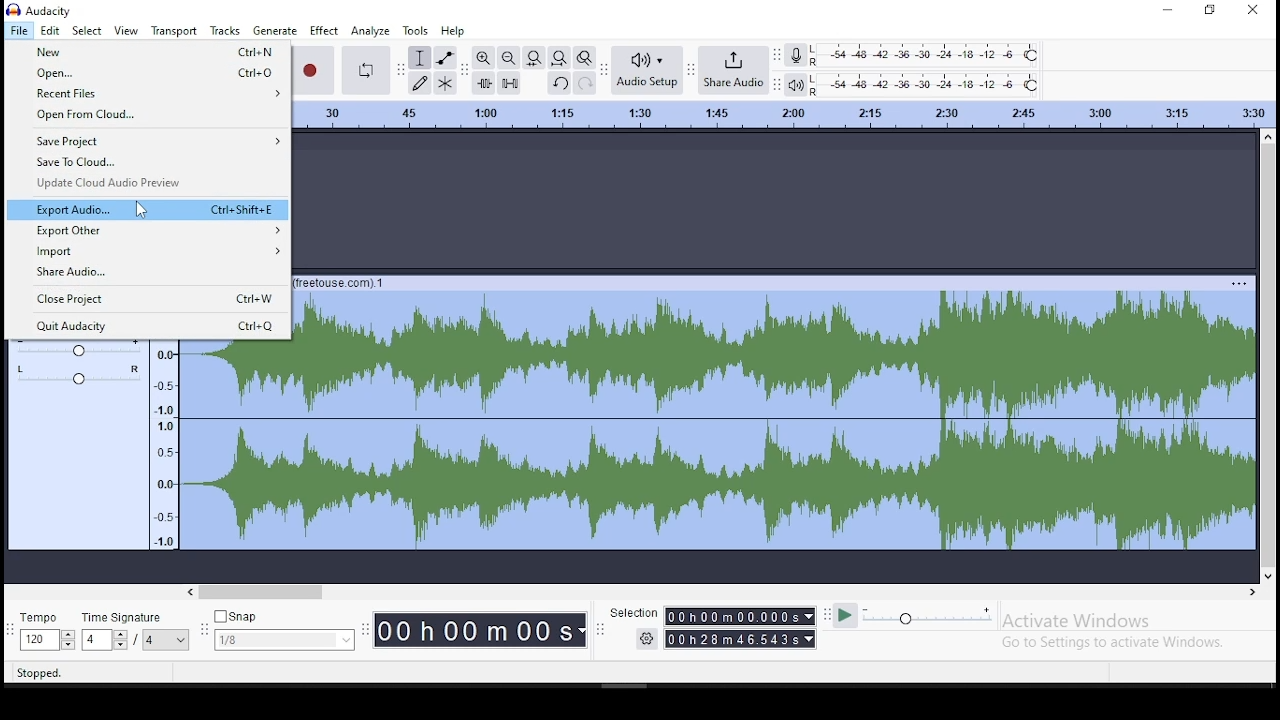 This screenshot has height=720, width=1280. I want to click on effect, so click(324, 31).